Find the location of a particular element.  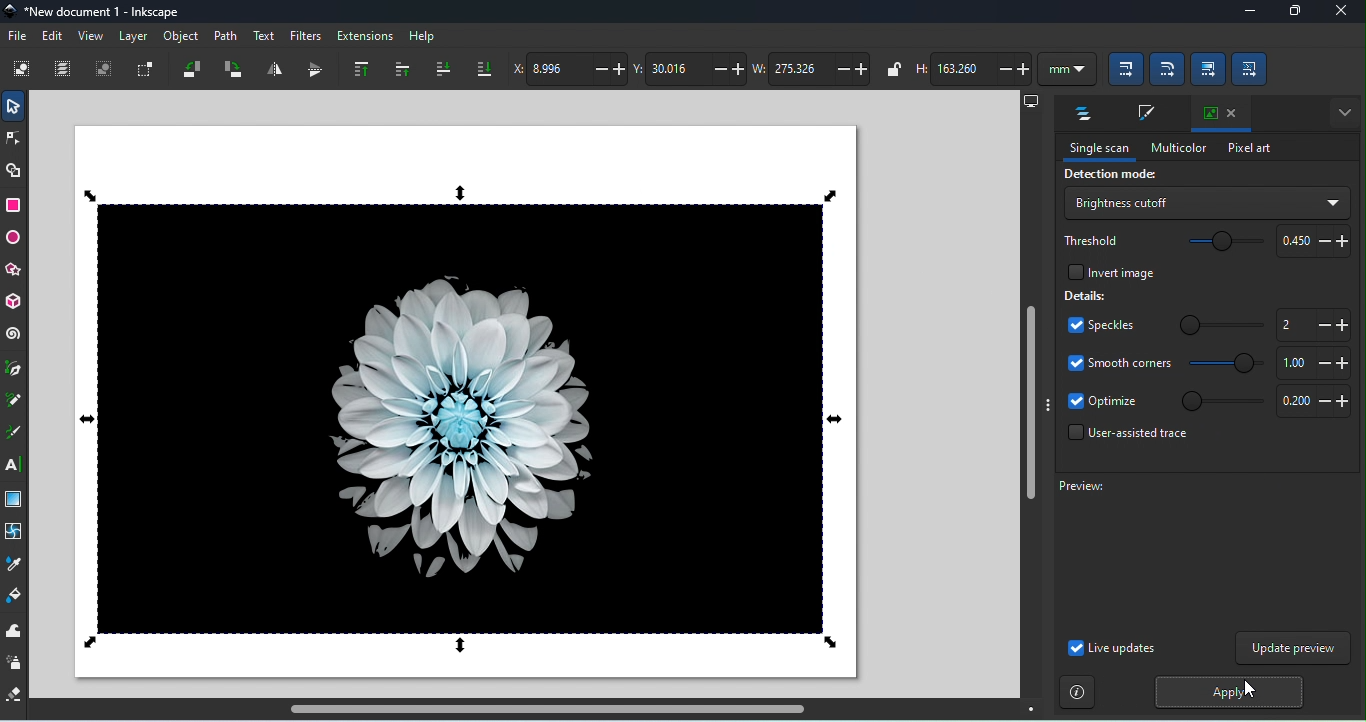

Select all objects is located at coordinates (22, 71).